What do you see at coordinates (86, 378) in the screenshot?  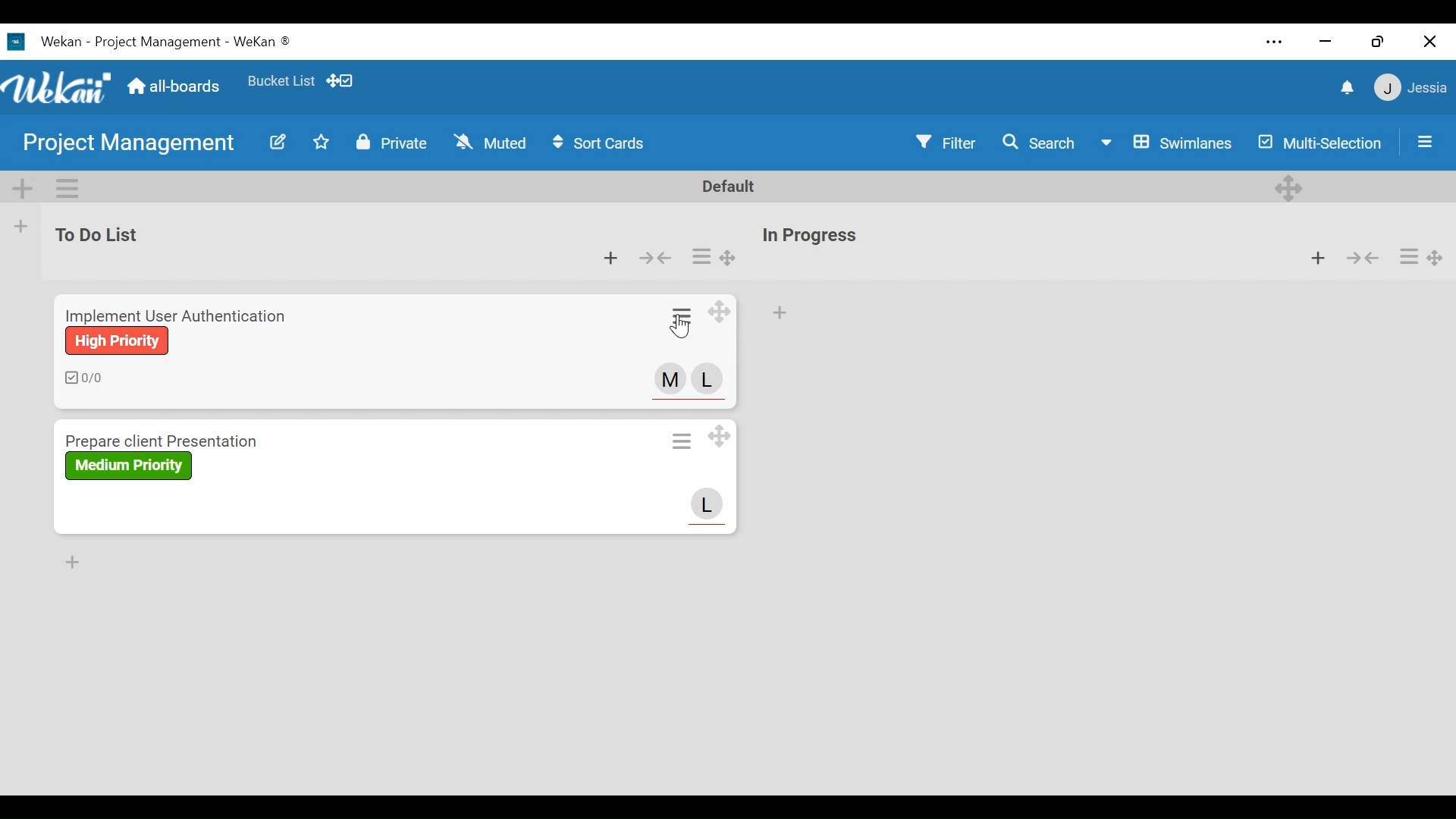 I see `Number of checklists` at bounding box center [86, 378].